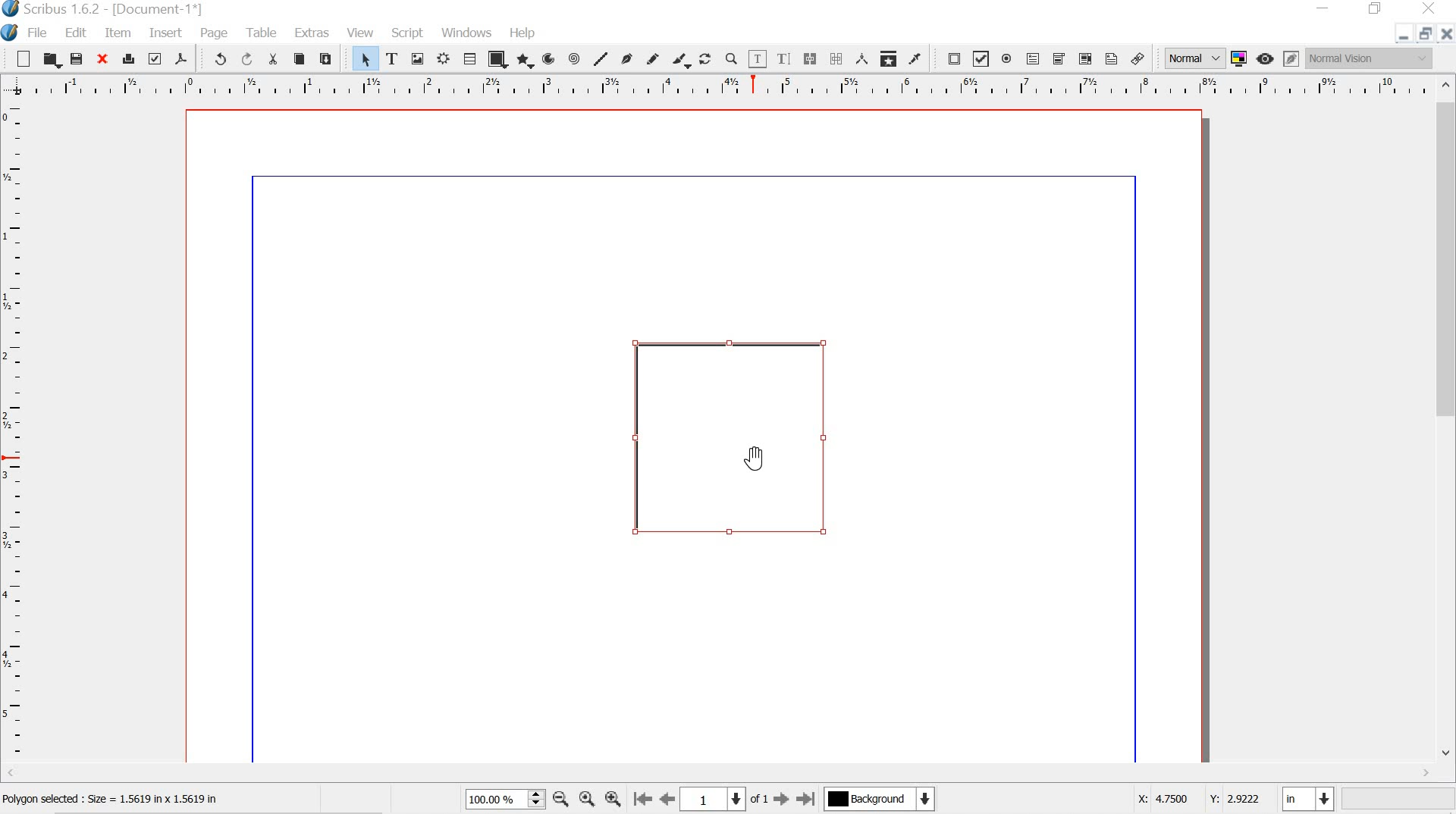  I want to click on paste, so click(331, 59).